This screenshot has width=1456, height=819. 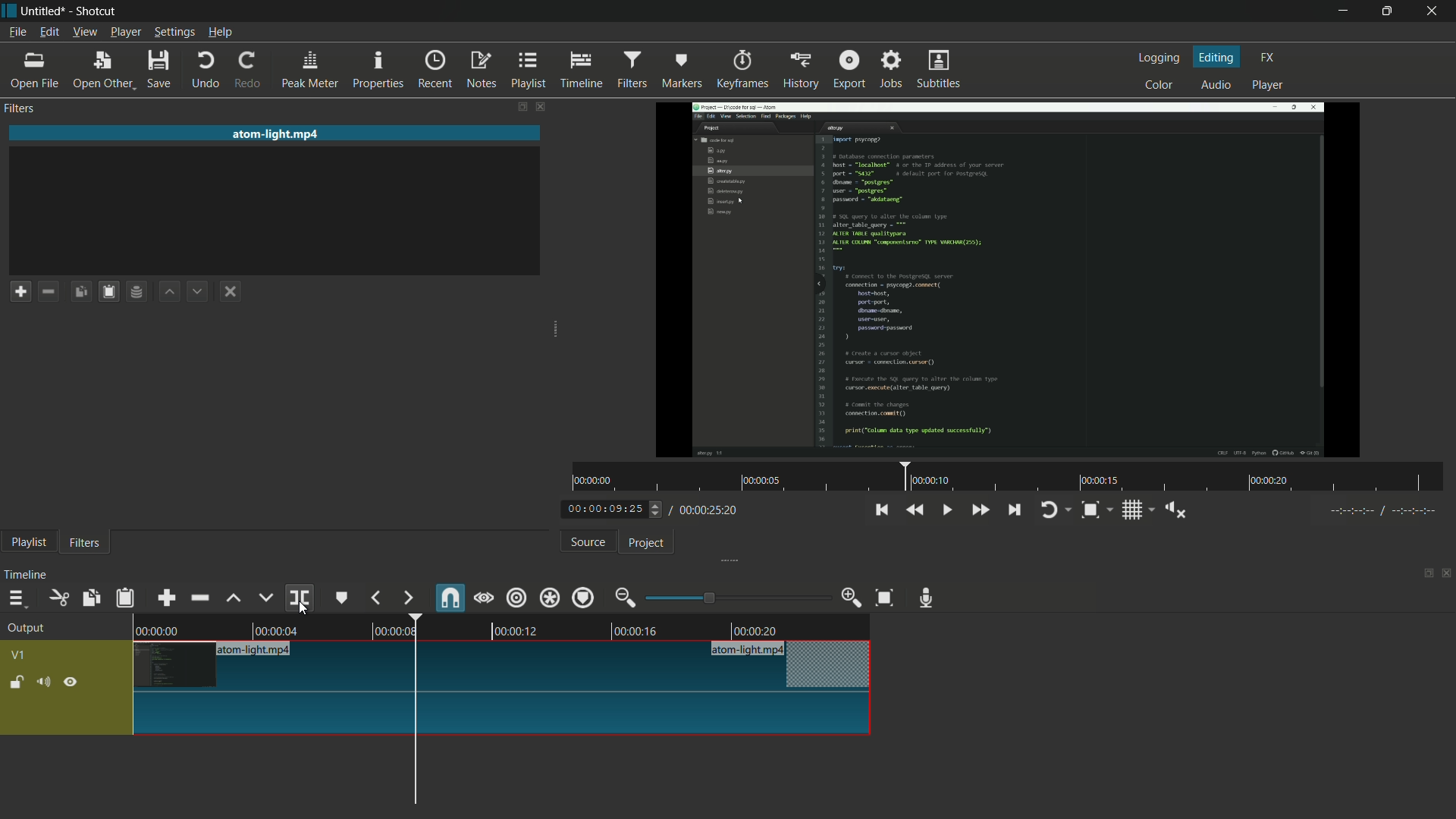 I want to click on history, so click(x=799, y=71).